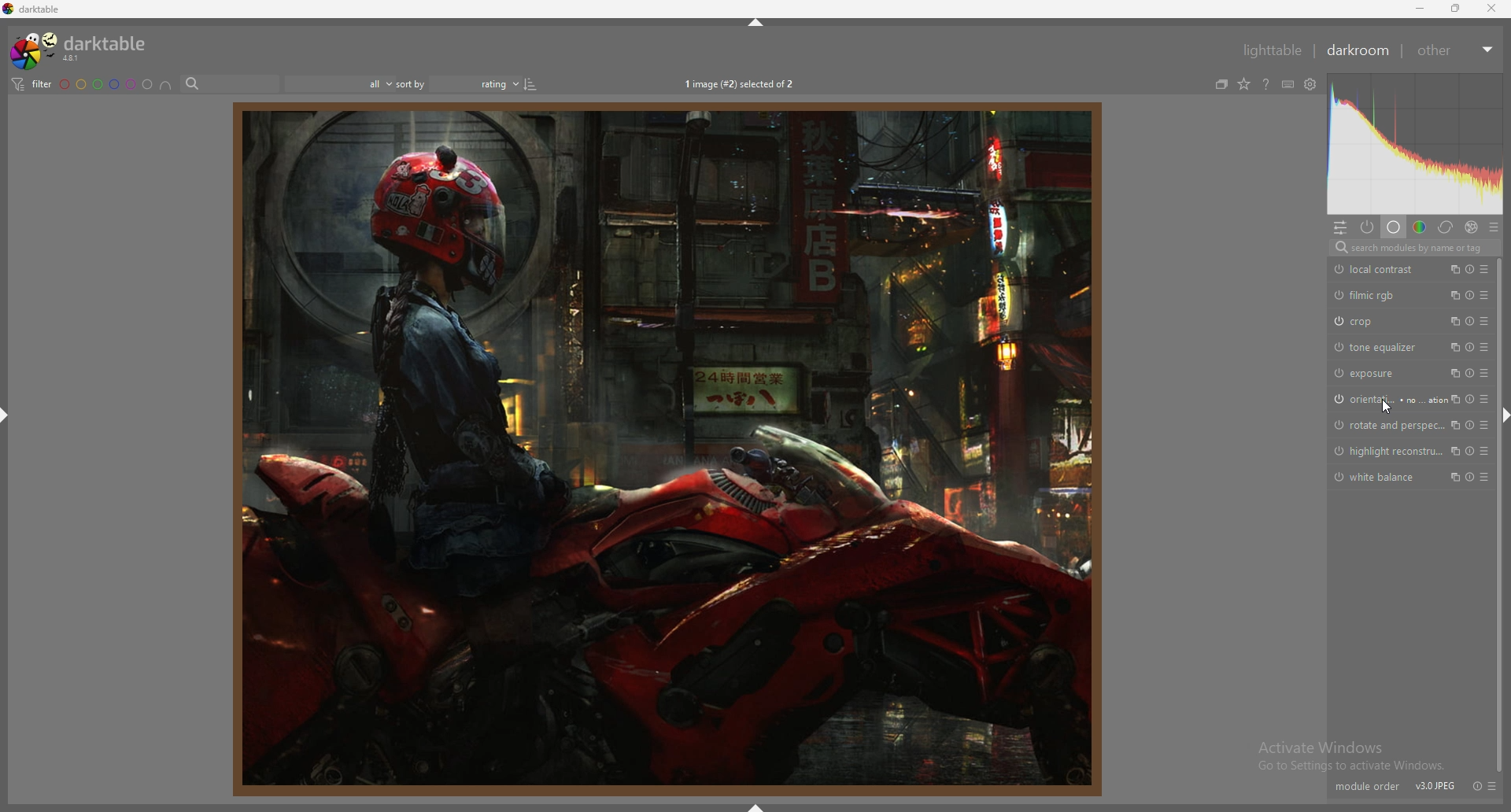 This screenshot has width=1511, height=812. Describe the element at coordinates (1452, 426) in the screenshot. I see `multiple instances action` at that location.